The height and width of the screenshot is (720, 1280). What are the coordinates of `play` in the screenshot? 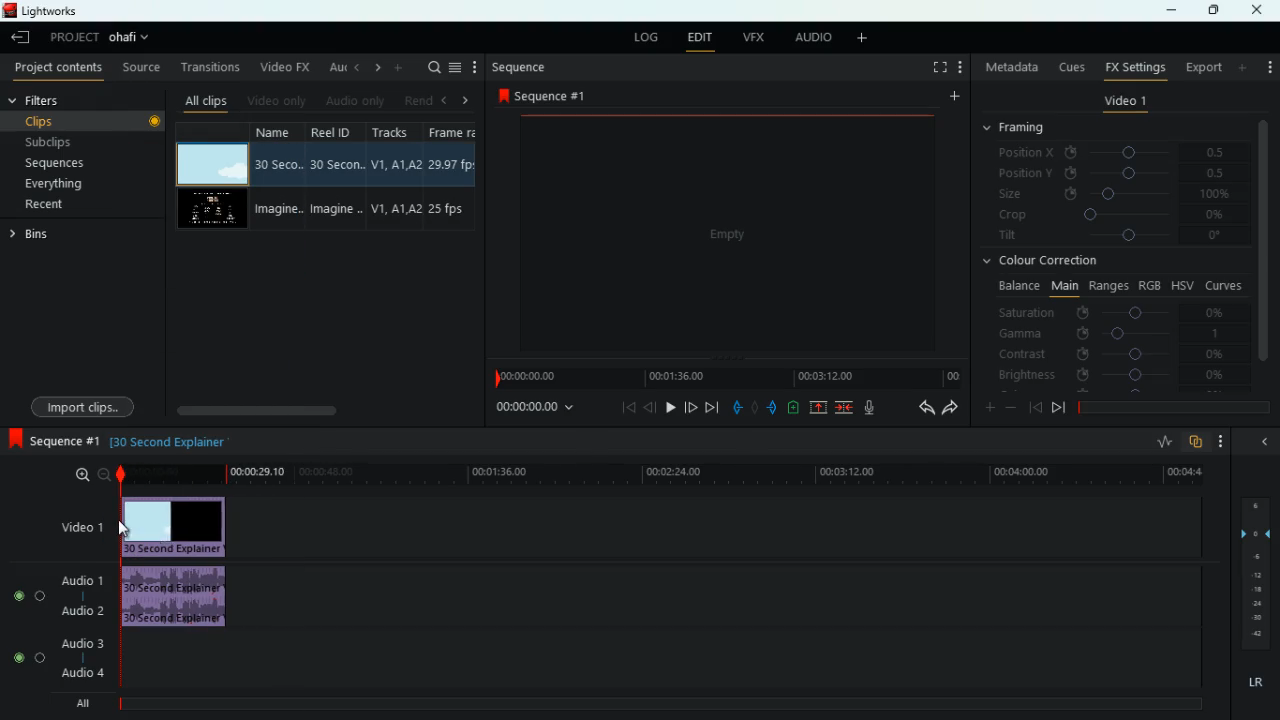 It's located at (671, 407).